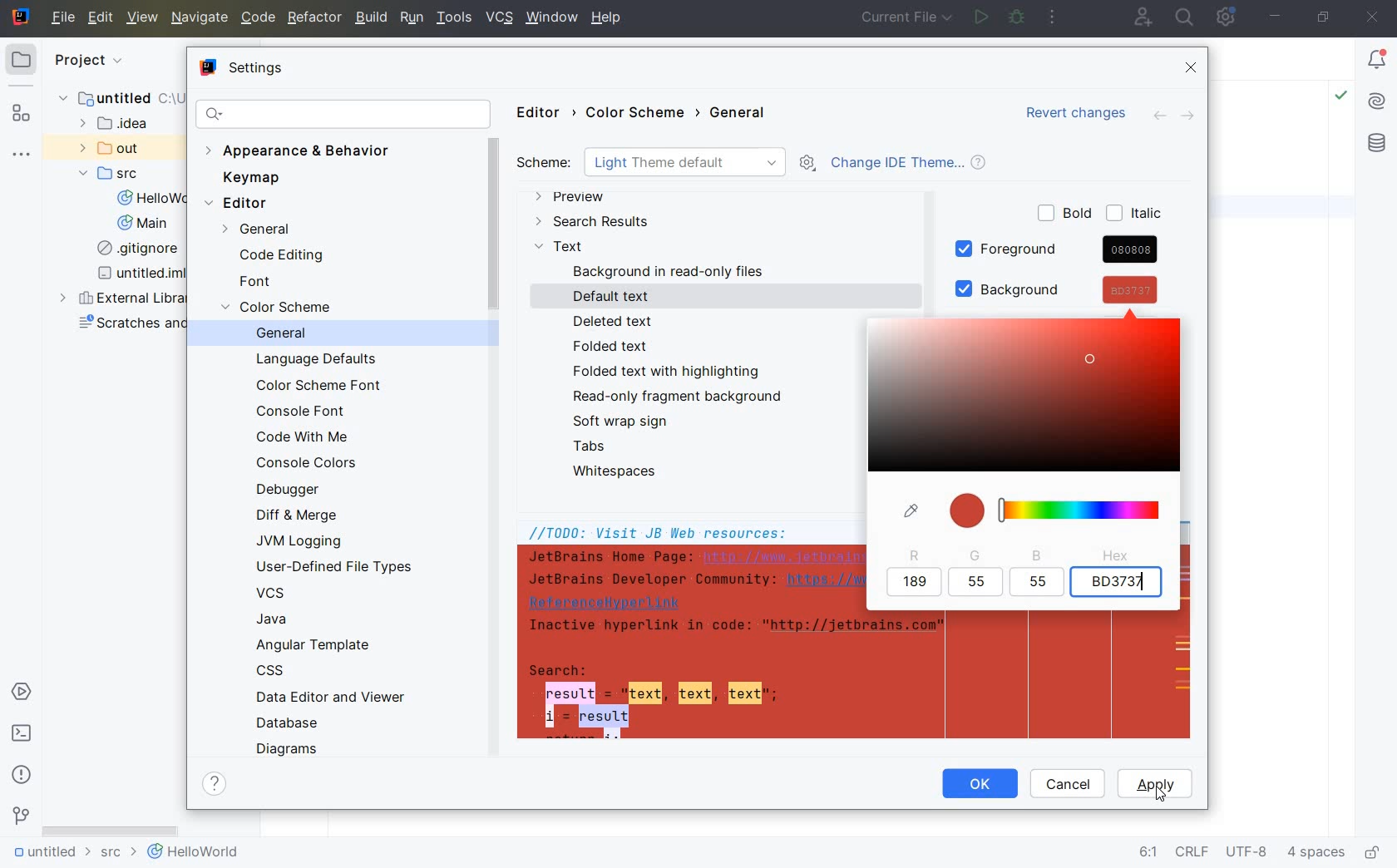  I want to click on cursor, so click(1133, 291).